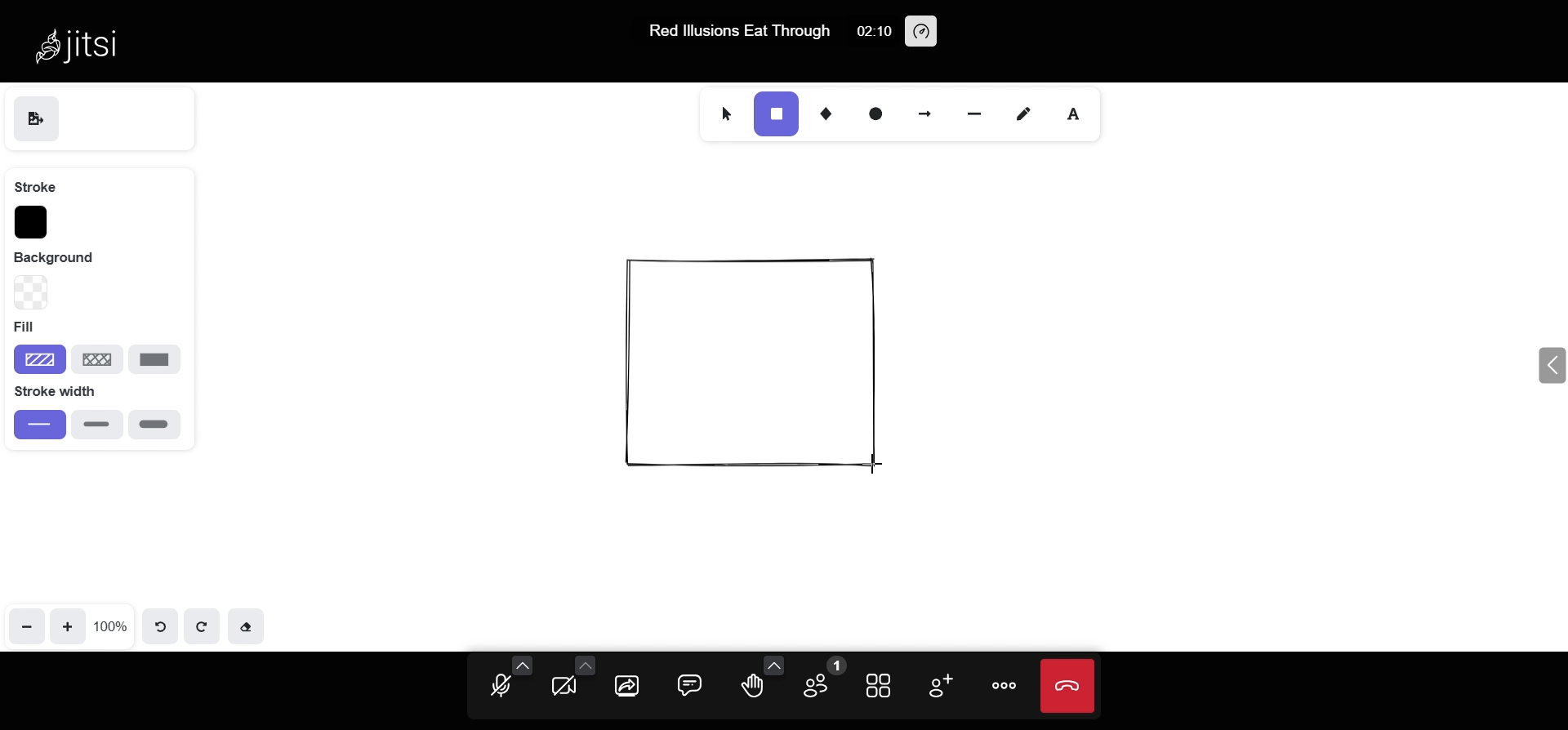 Image resolution: width=1568 pixels, height=730 pixels. What do you see at coordinates (97, 424) in the screenshot?
I see `bold` at bounding box center [97, 424].